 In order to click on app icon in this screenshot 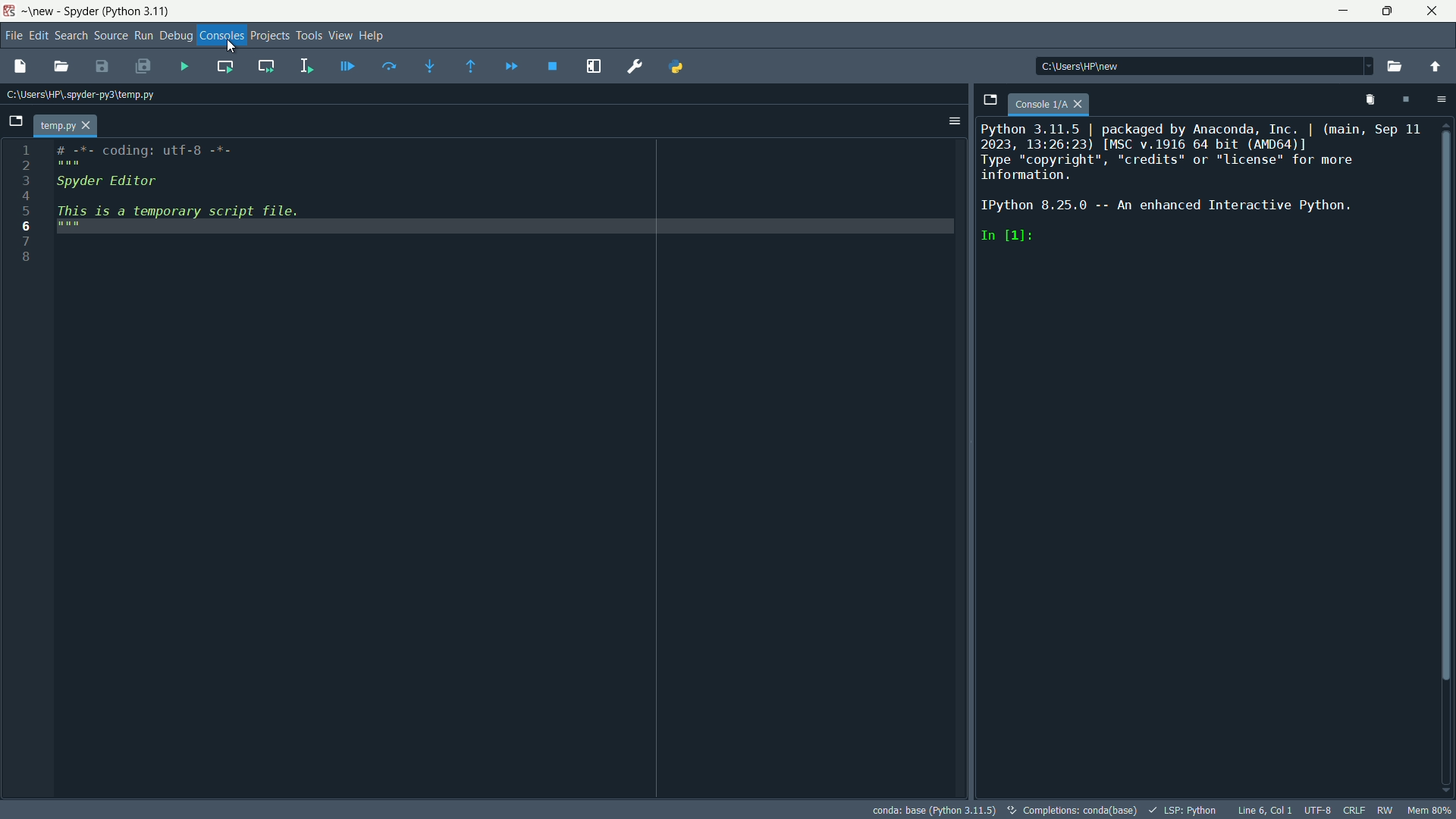, I will do `click(11, 11)`.